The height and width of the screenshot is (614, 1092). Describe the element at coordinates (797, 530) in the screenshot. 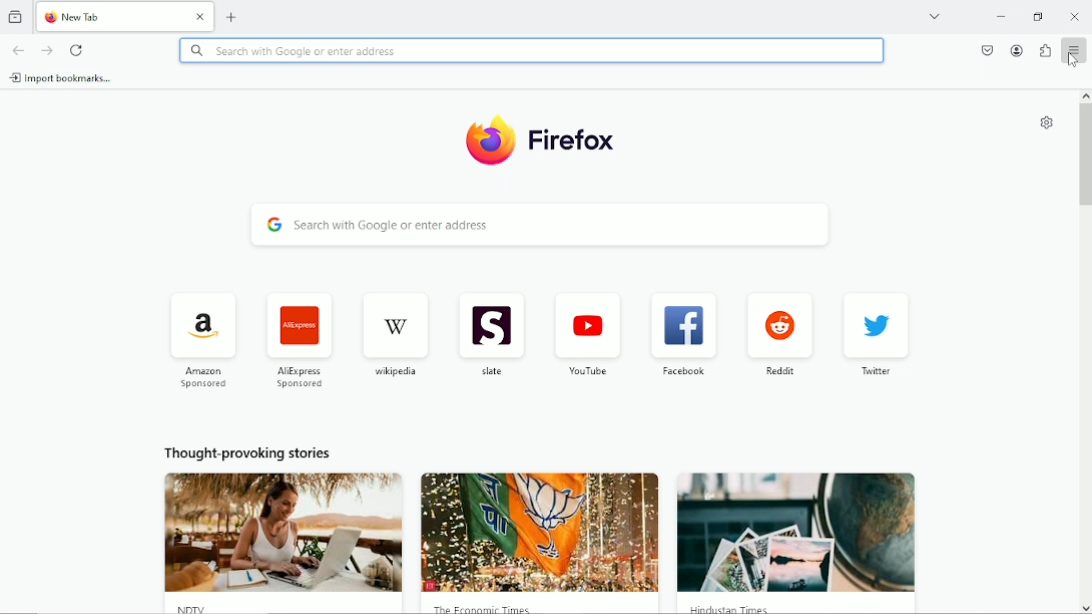

I see `image` at that location.